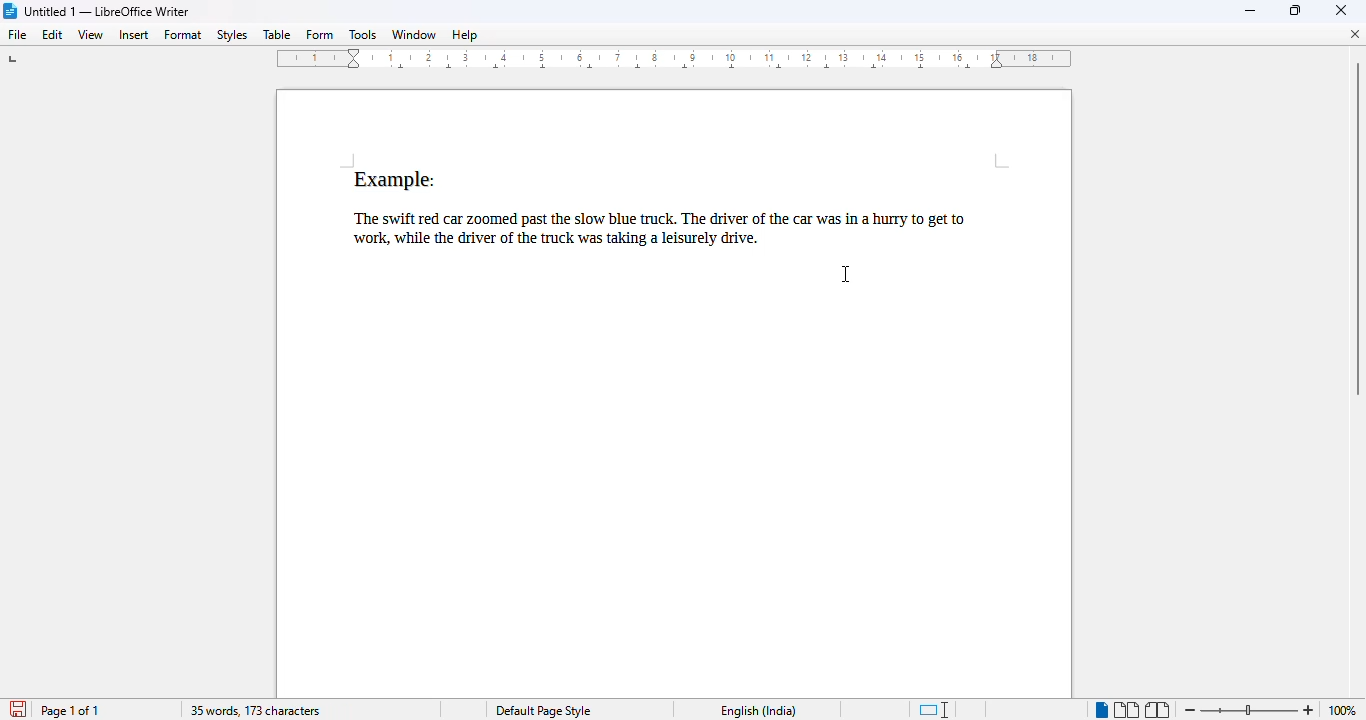 The width and height of the screenshot is (1366, 720). Describe the element at coordinates (1158, 710) in the screenshot. I see `book view` at that location.